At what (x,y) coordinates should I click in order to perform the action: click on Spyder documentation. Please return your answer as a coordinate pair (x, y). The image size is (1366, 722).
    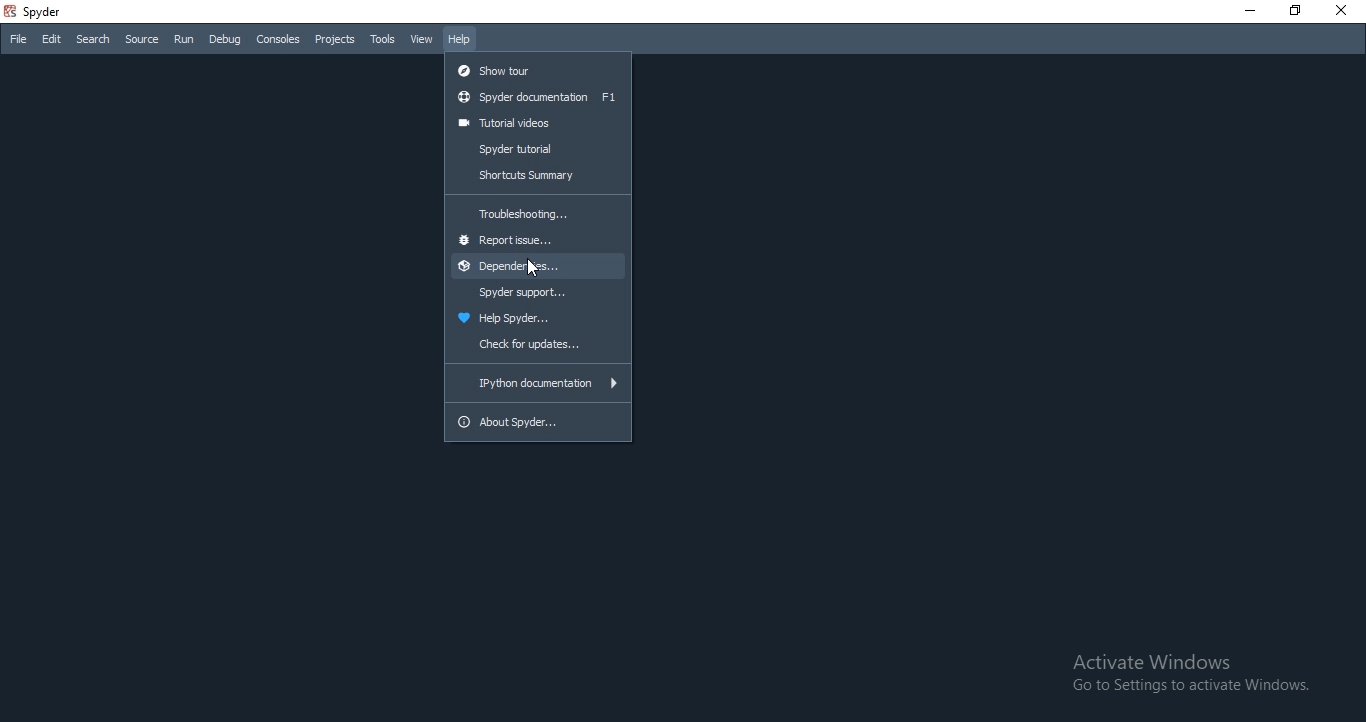
    Looking at the image, I should click on (539, 97).